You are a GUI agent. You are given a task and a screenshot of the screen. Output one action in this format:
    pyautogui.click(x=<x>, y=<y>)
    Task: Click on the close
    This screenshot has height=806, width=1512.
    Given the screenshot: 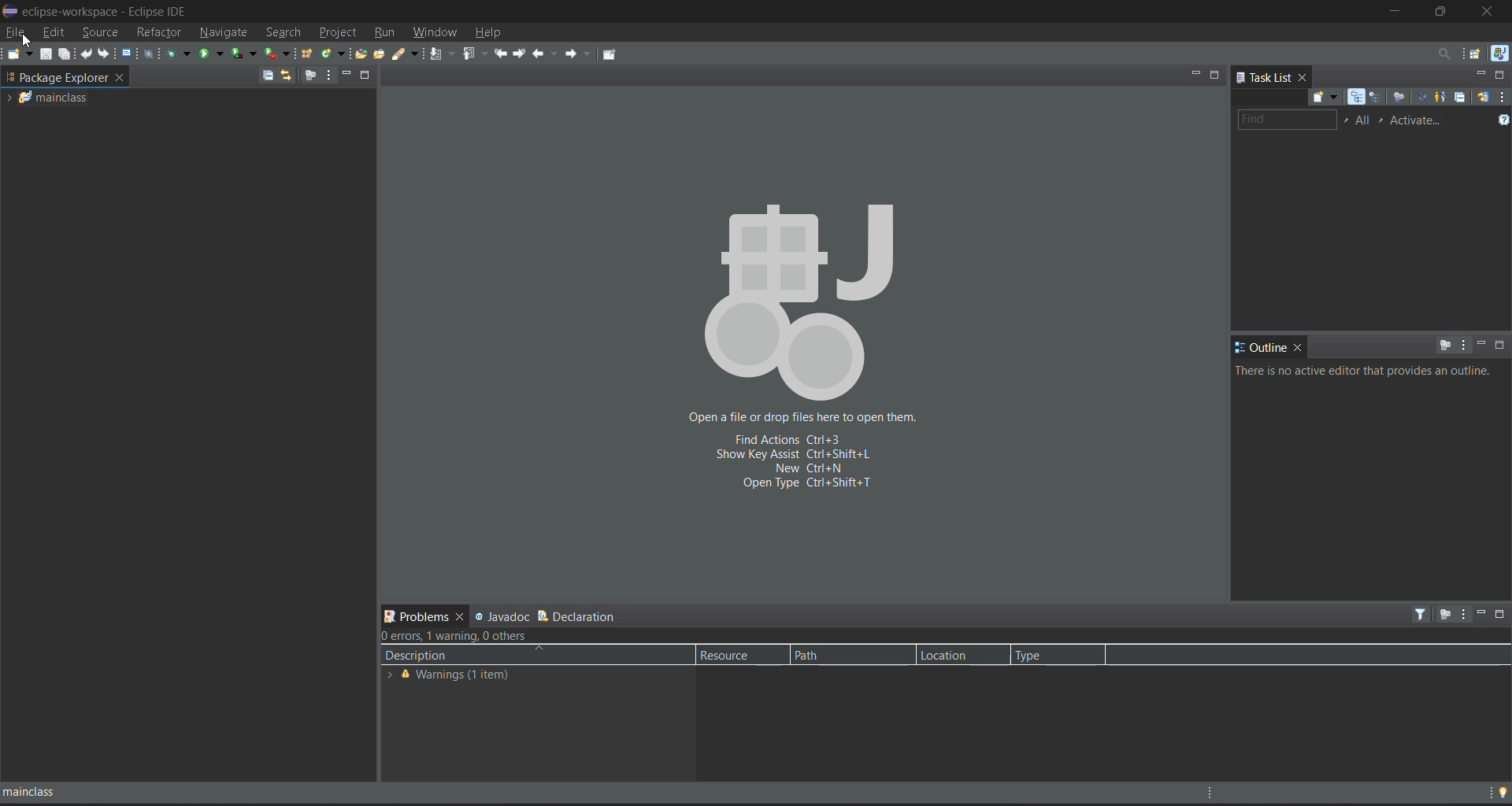 What is the action you would take?
    pyautogui.click(x=1489, y=12)
    